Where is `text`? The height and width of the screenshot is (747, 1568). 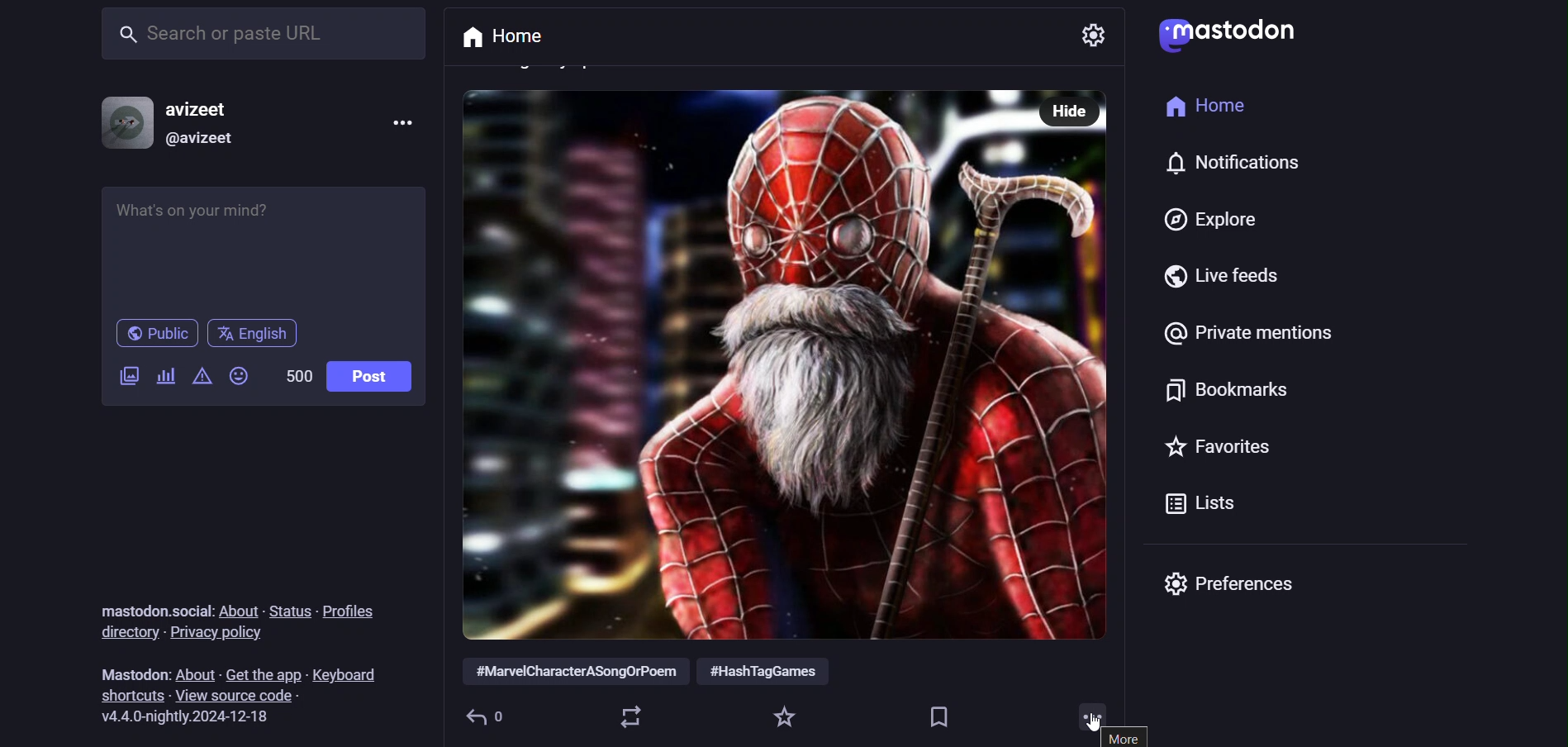 text is located at coordinates (128, 673).